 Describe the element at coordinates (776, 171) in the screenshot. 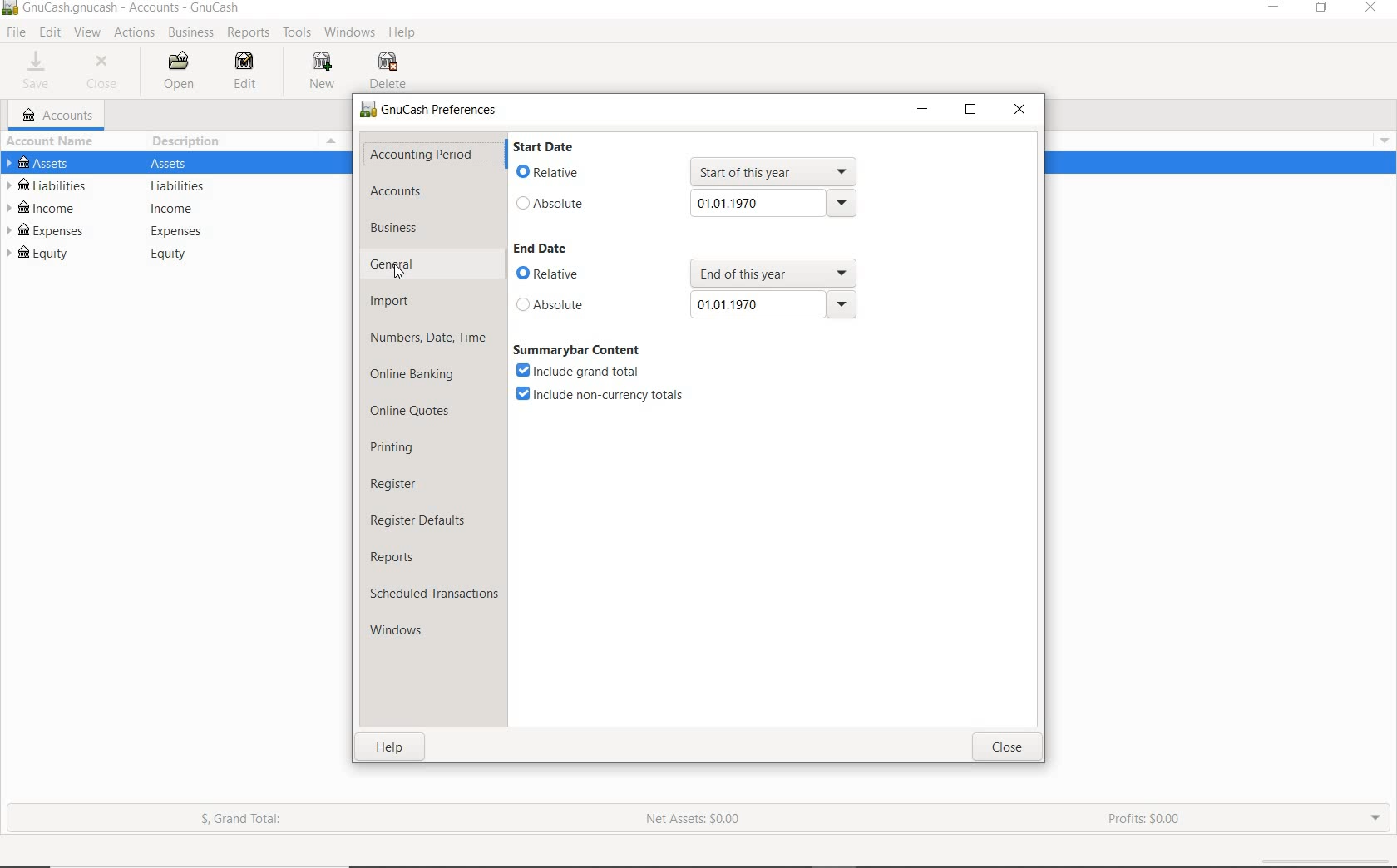

I see `Start of this year` at that location.